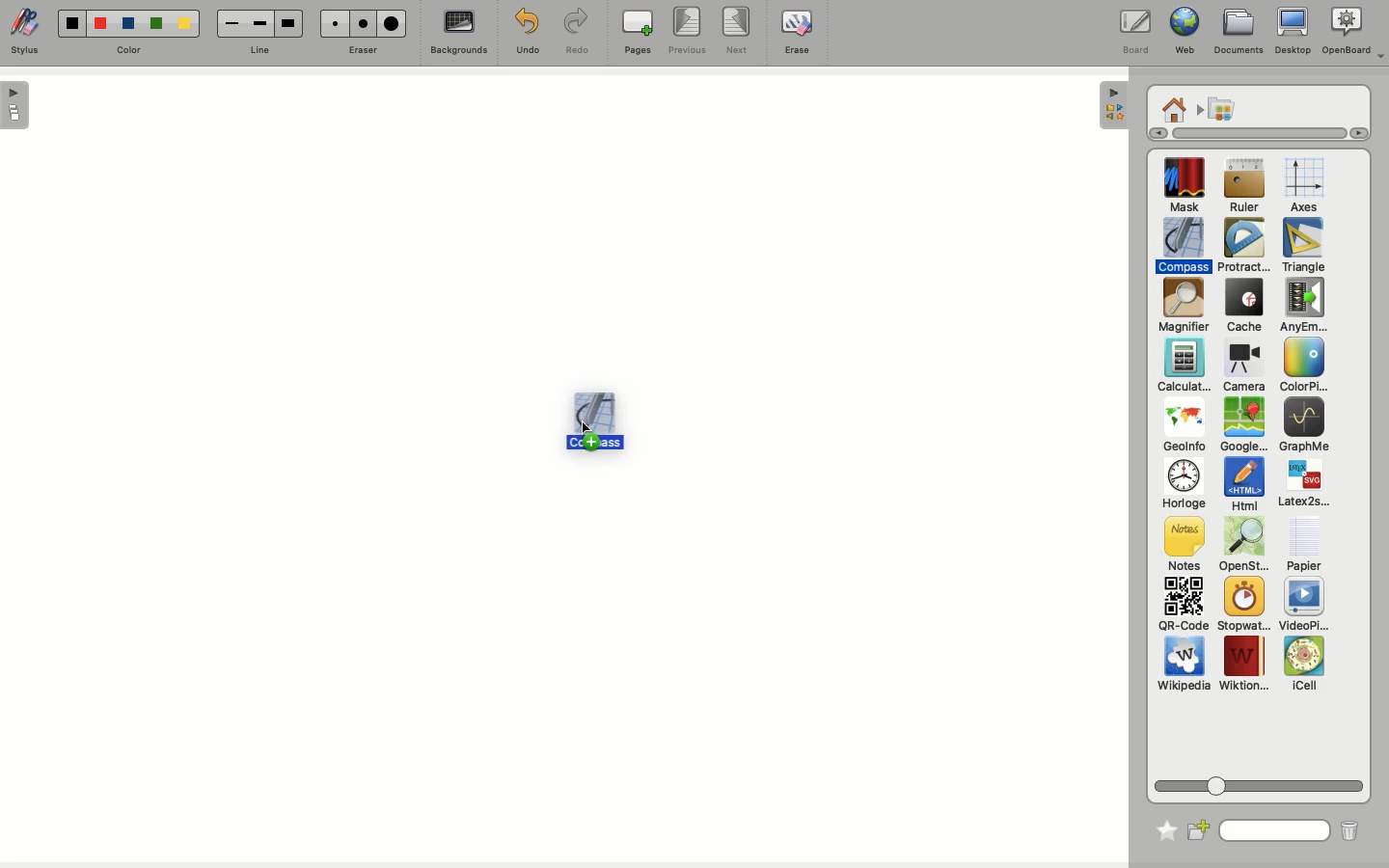  I want to click on Magnifier, so click(1183, 306).